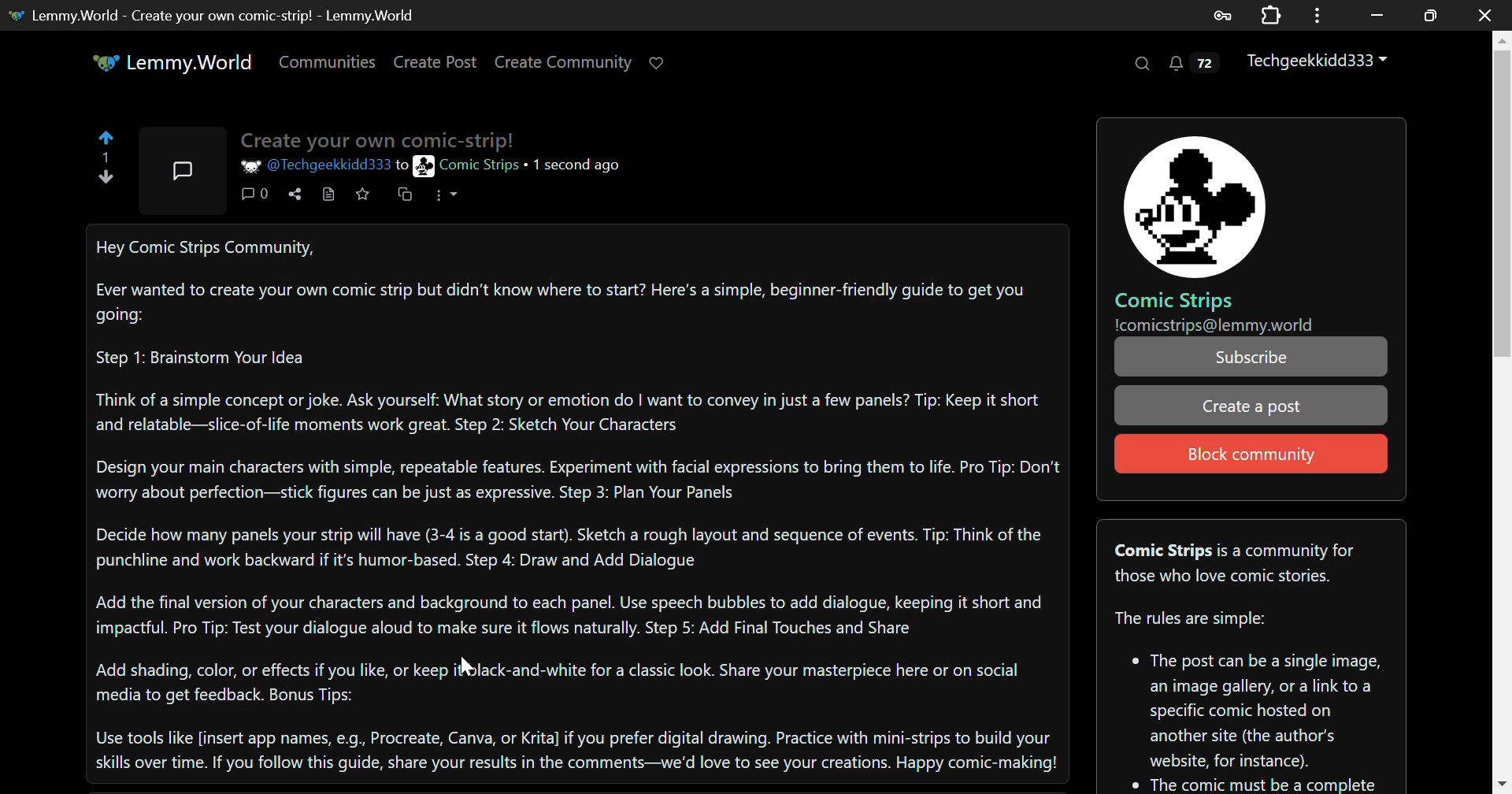 The height and width of the screenshot is (794, 1512). I want to click on Lemmy.World - Create your own comic-strip! - Lemmy.World, so click(213, 16).